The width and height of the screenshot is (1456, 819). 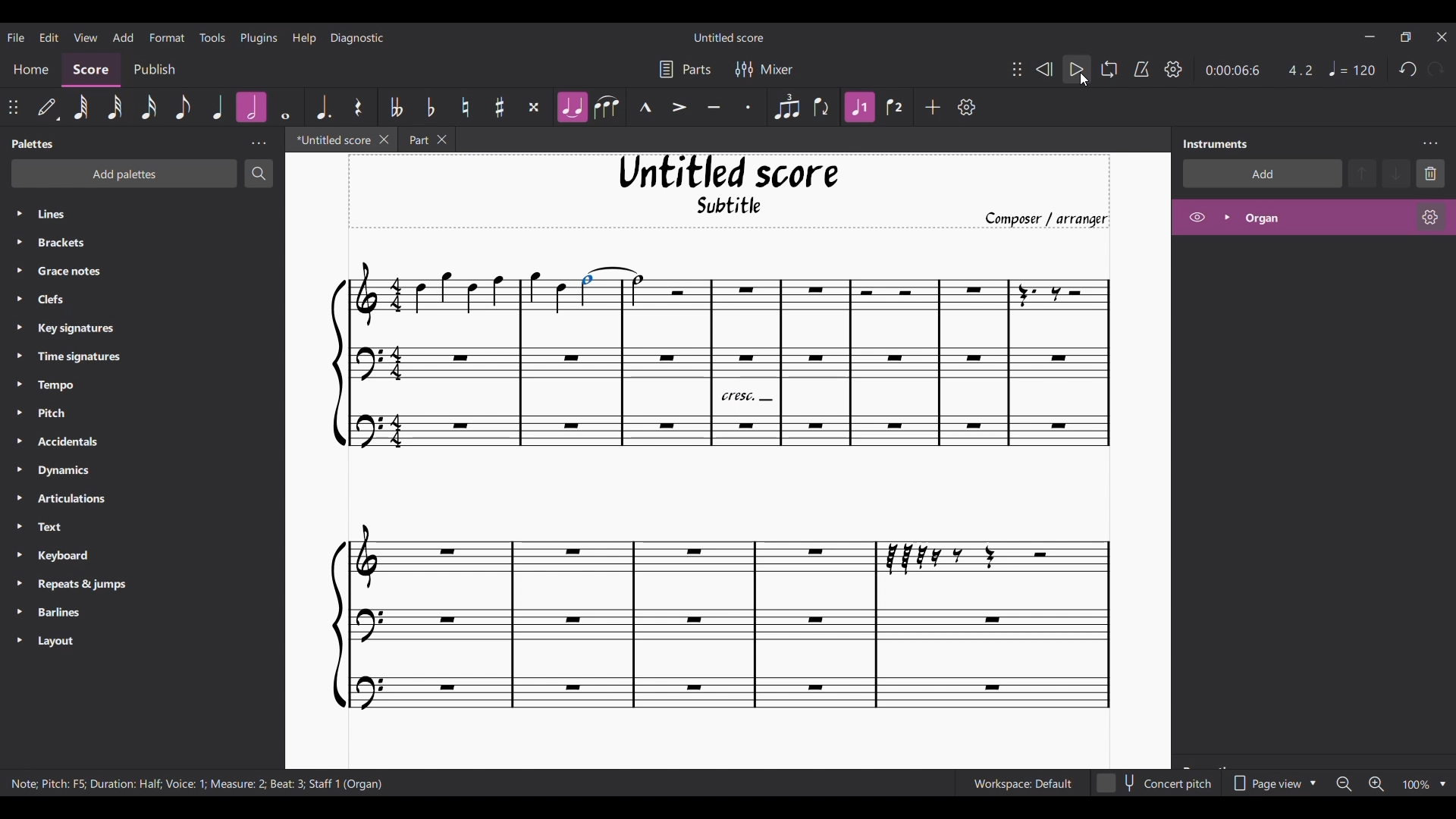 What do you see at coordinates (1077, 70) in the screenshot?
I see `Play` at bounding box center [1077, 70].